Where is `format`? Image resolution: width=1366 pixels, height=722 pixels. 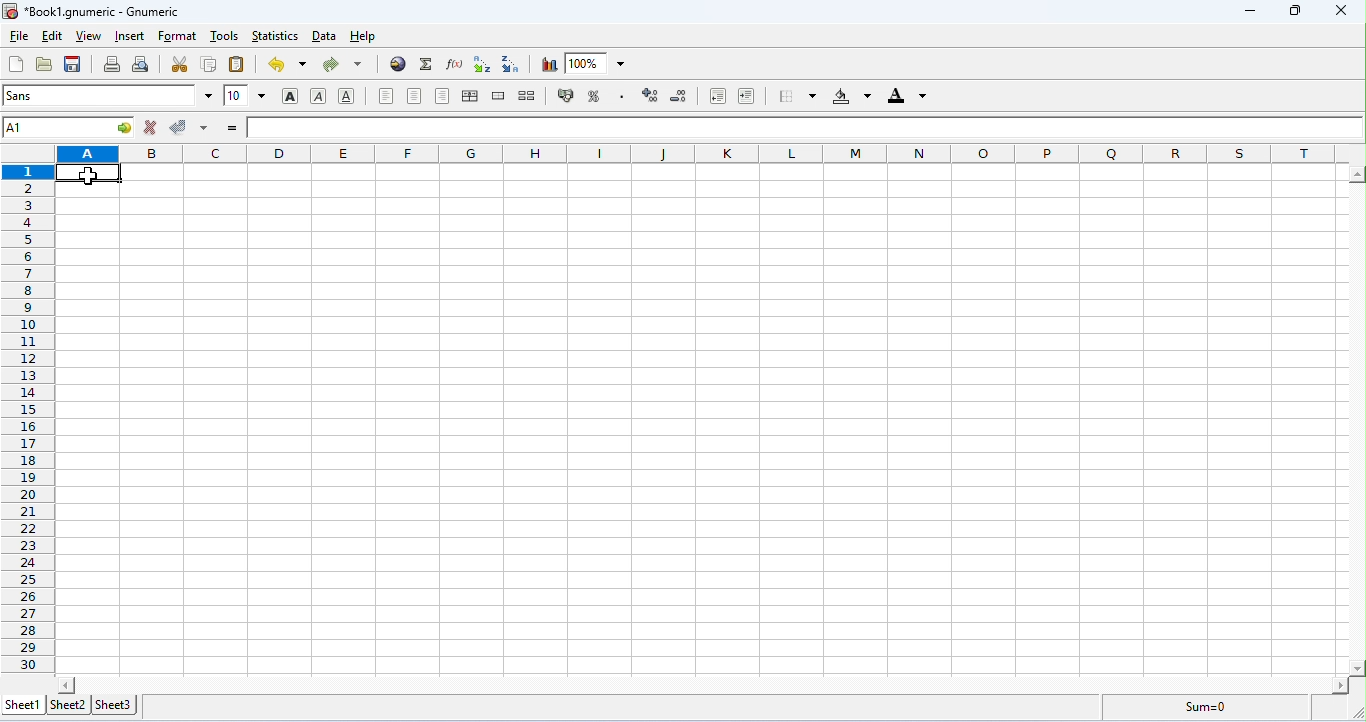
format is located at coordinates (177, 37).